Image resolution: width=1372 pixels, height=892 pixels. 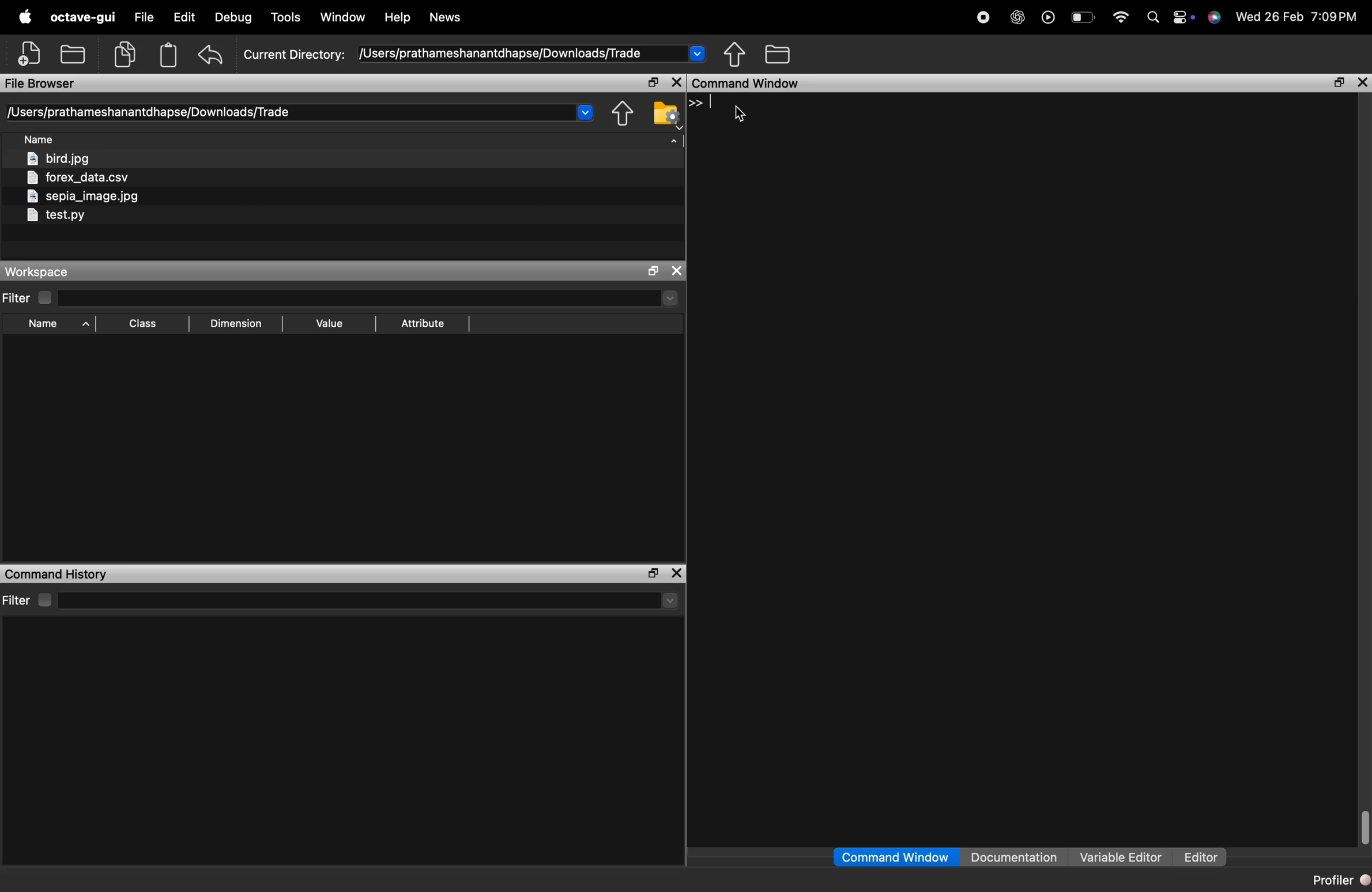 What do you see at coordinates (741, 115) in the screenshot?
I see `cursor` at bounding box center [741, 115].